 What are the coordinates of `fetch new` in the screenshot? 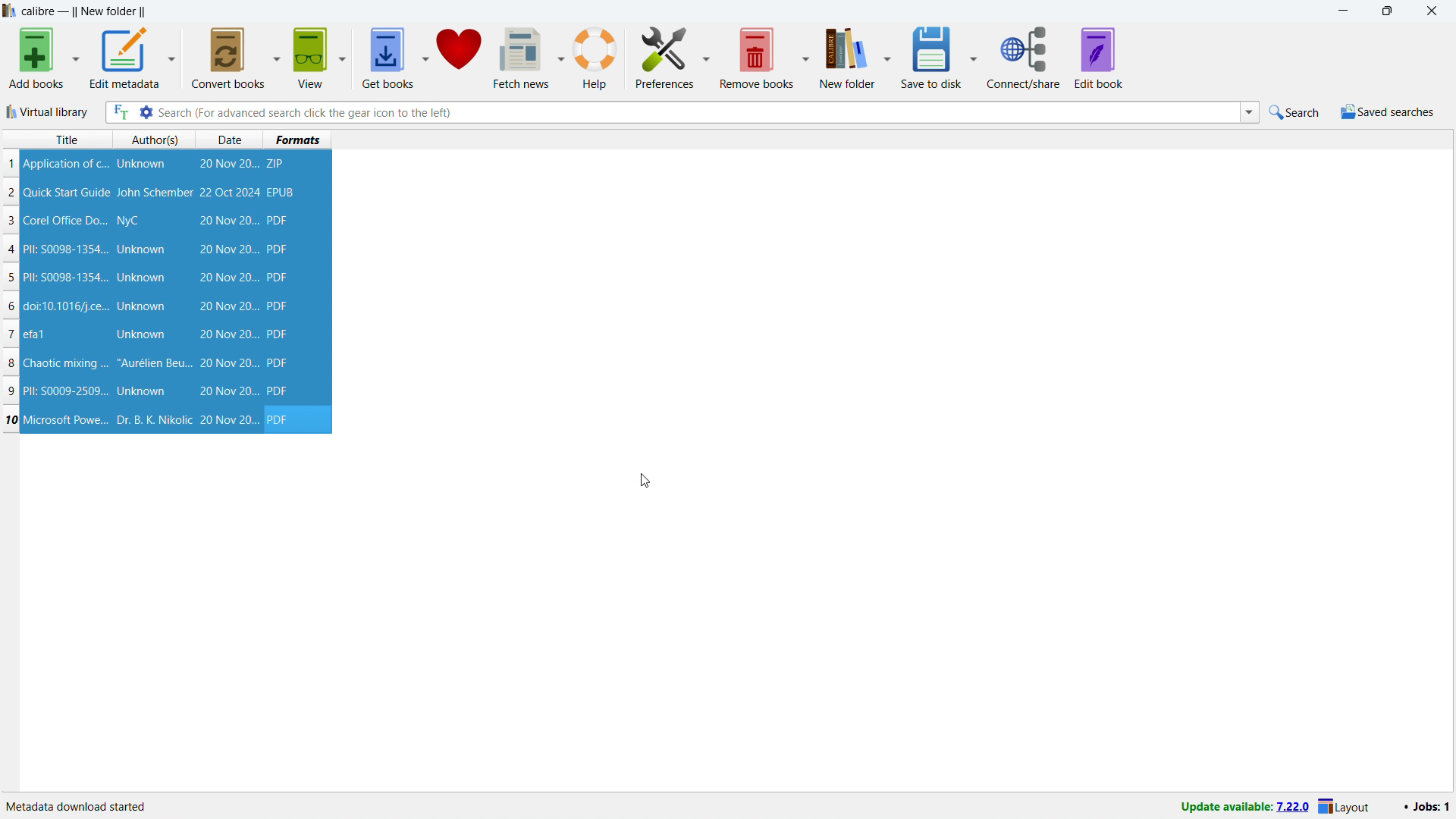 It's located at (521, 58).